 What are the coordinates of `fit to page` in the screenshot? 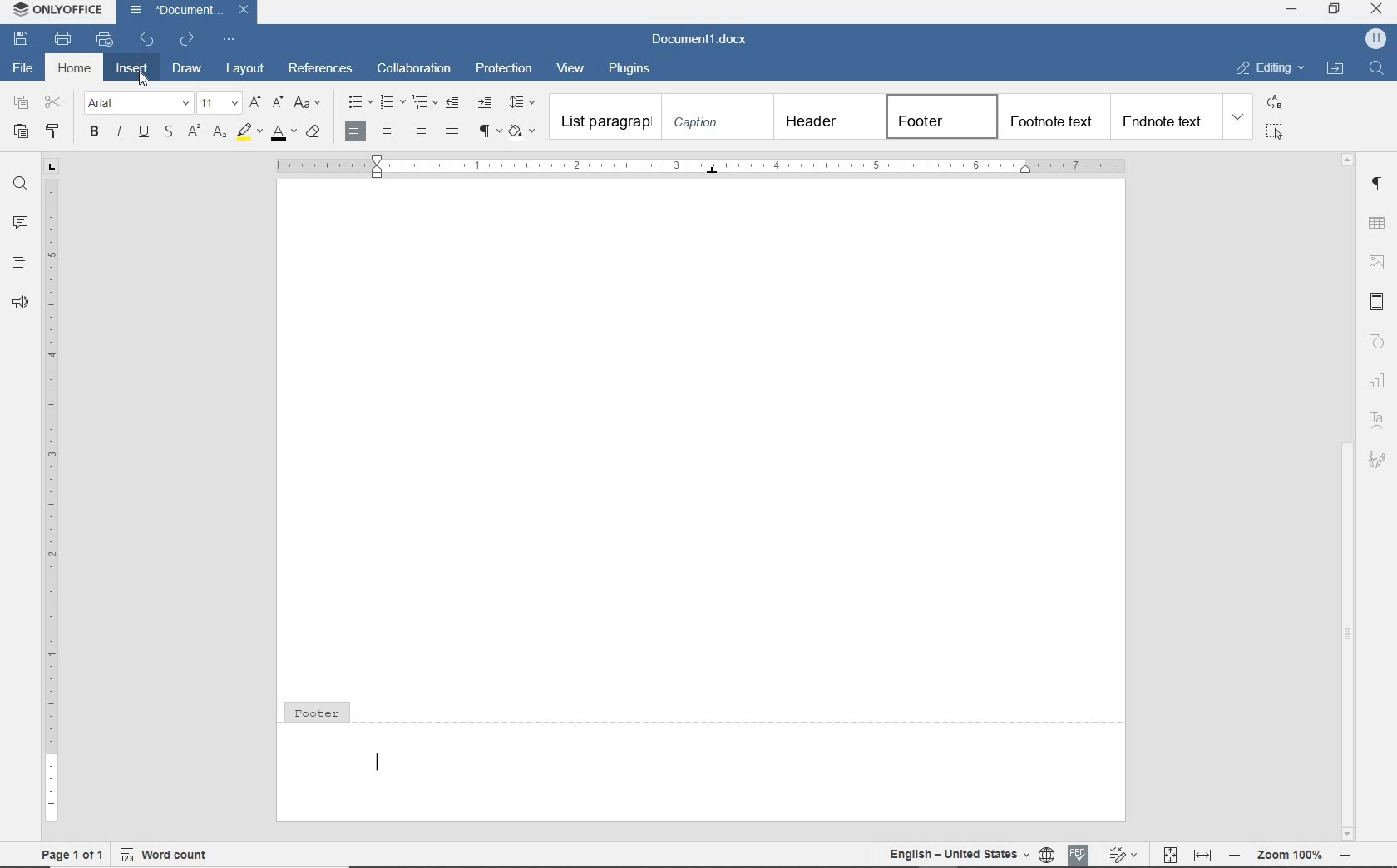 It's located at (1169, 854).